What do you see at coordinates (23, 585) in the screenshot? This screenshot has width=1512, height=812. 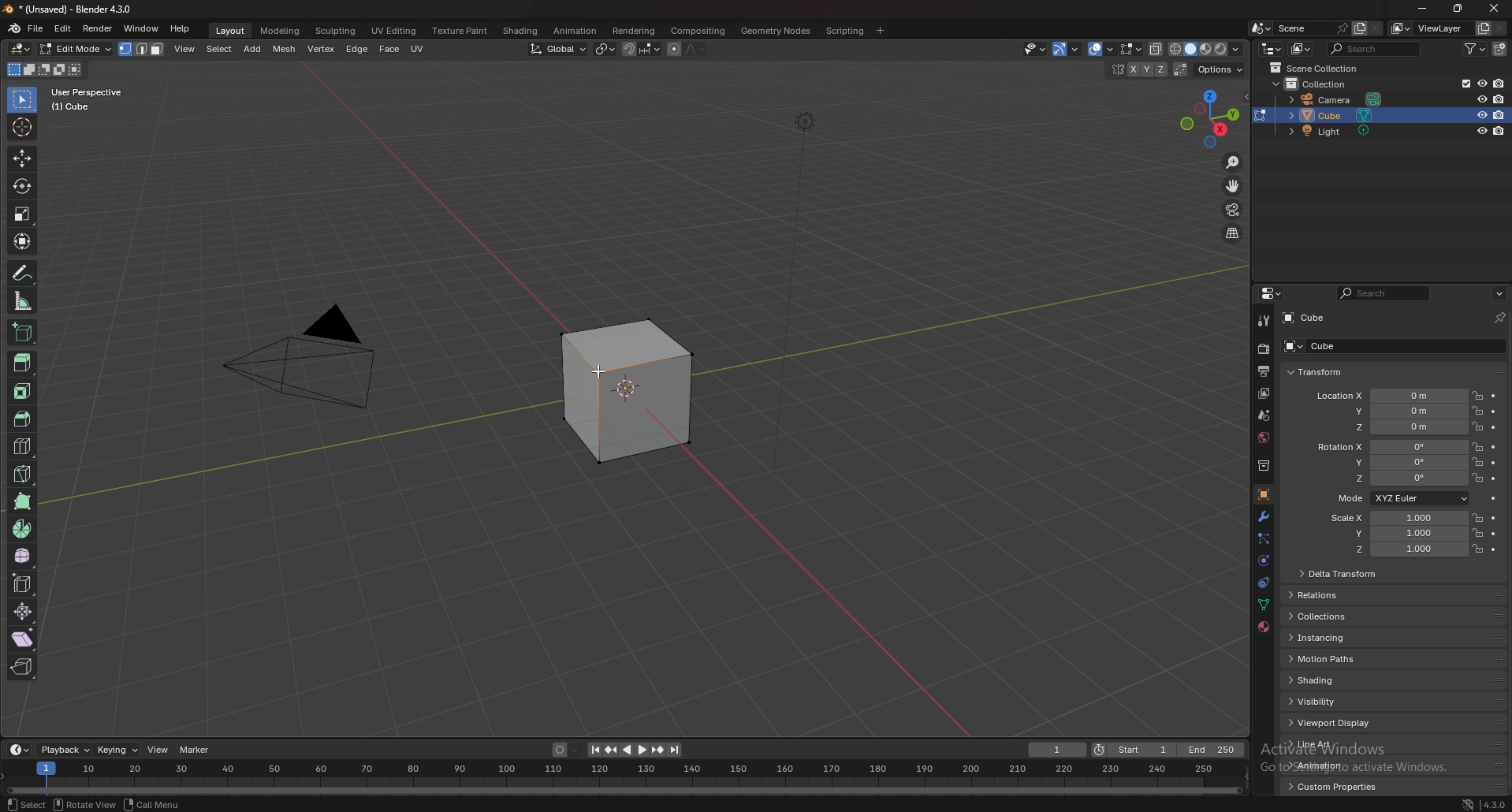 I see `edge slide` at bounding box center [23, 585].